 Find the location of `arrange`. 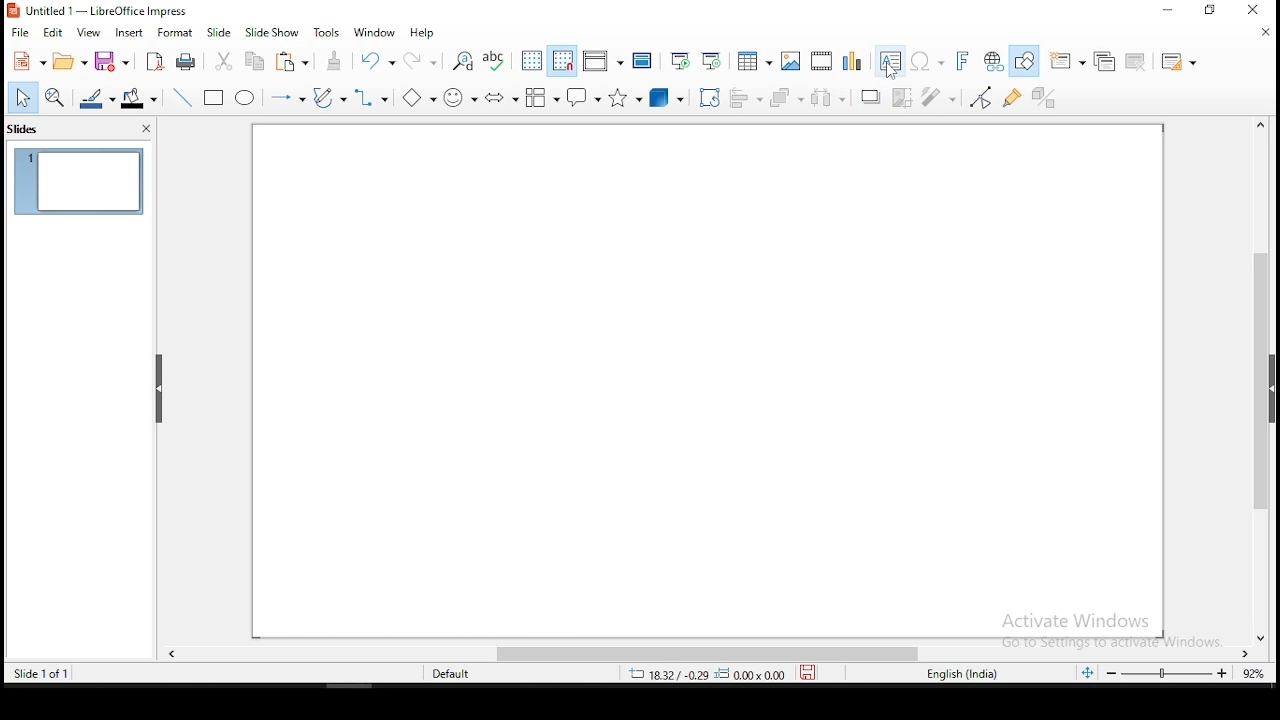

arrange is located at coordinates (785, 97).